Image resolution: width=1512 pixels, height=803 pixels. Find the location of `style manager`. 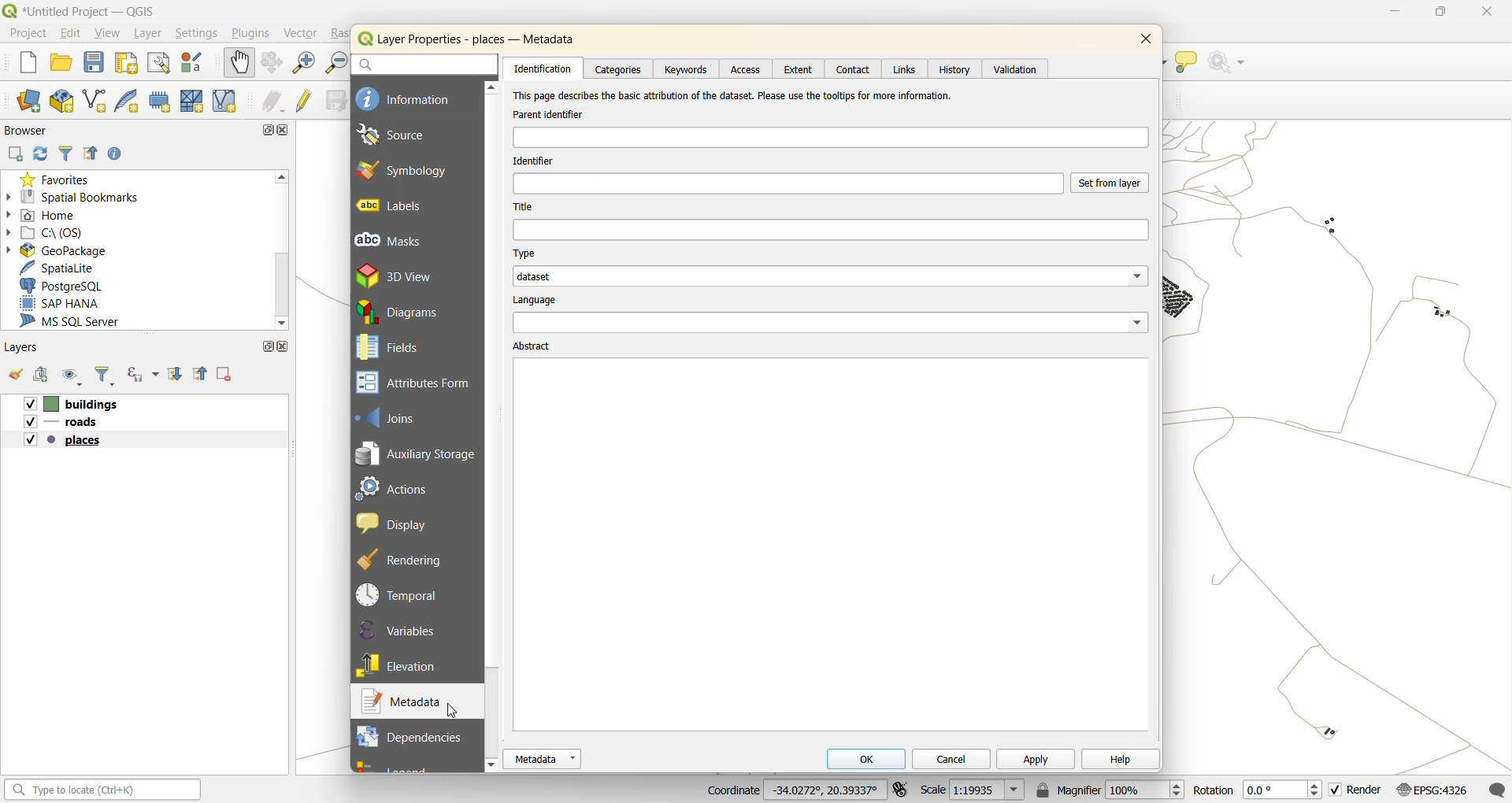

style manager is located at coordinates (197, 64).